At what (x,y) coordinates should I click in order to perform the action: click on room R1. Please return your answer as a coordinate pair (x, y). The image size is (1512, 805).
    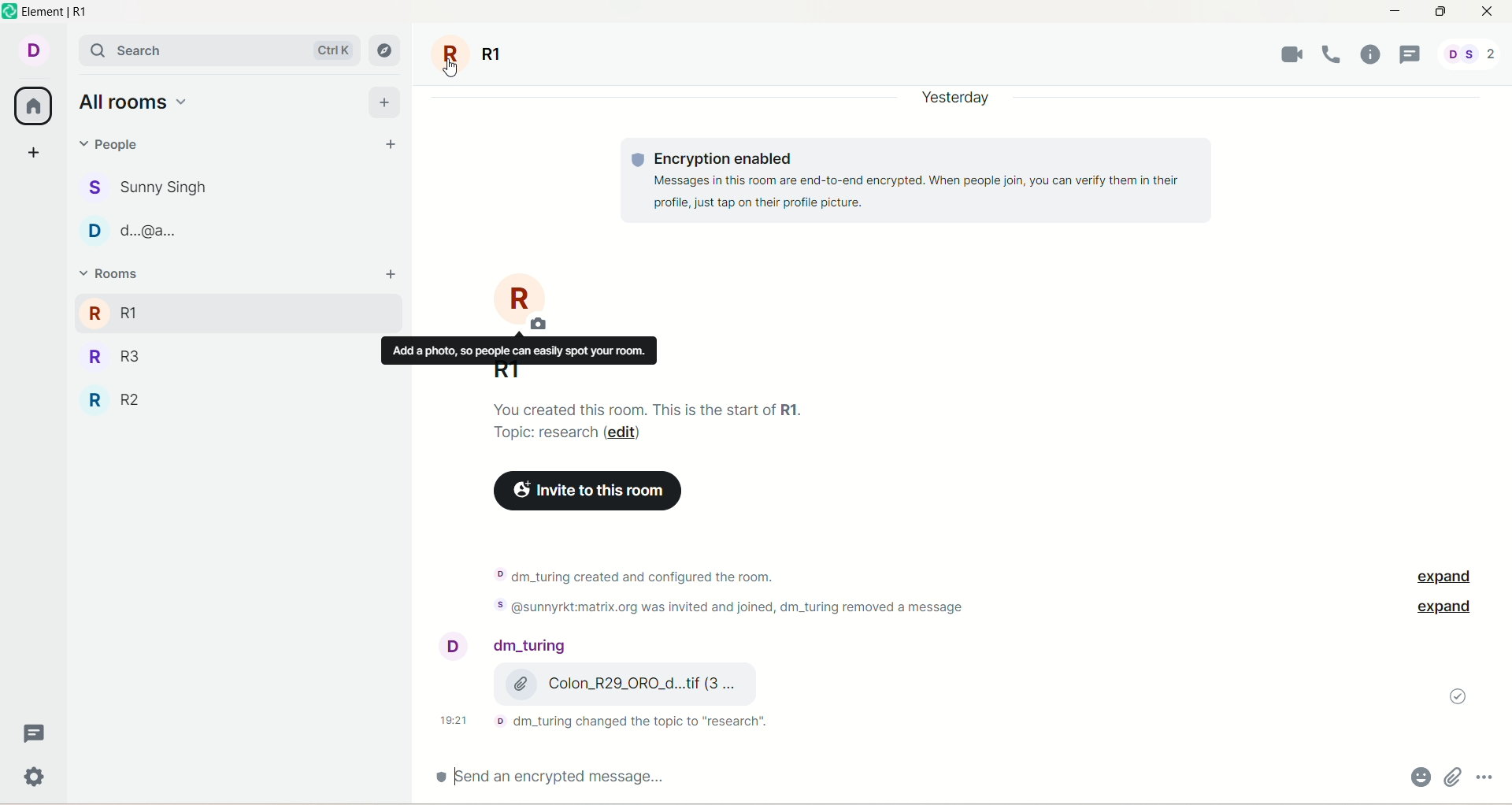
    Looking at the image, I should click on (480, 61).